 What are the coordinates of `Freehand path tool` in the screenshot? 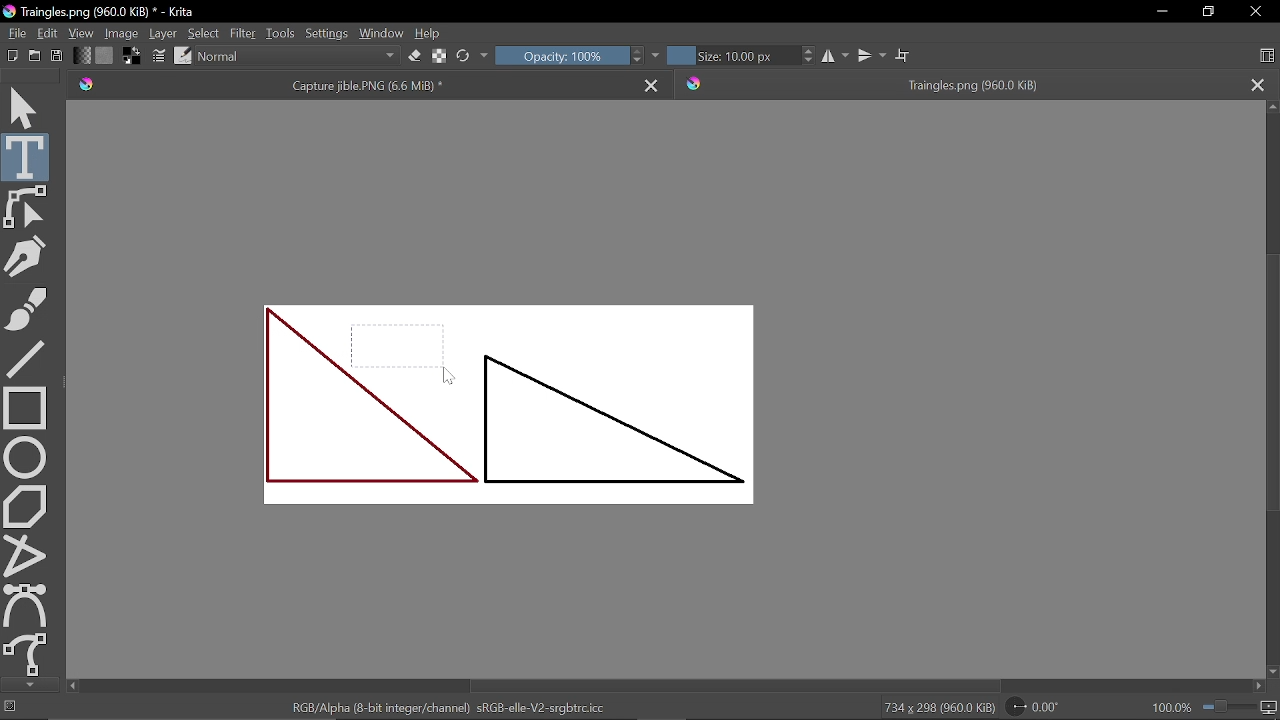 It's located at (27, 655).